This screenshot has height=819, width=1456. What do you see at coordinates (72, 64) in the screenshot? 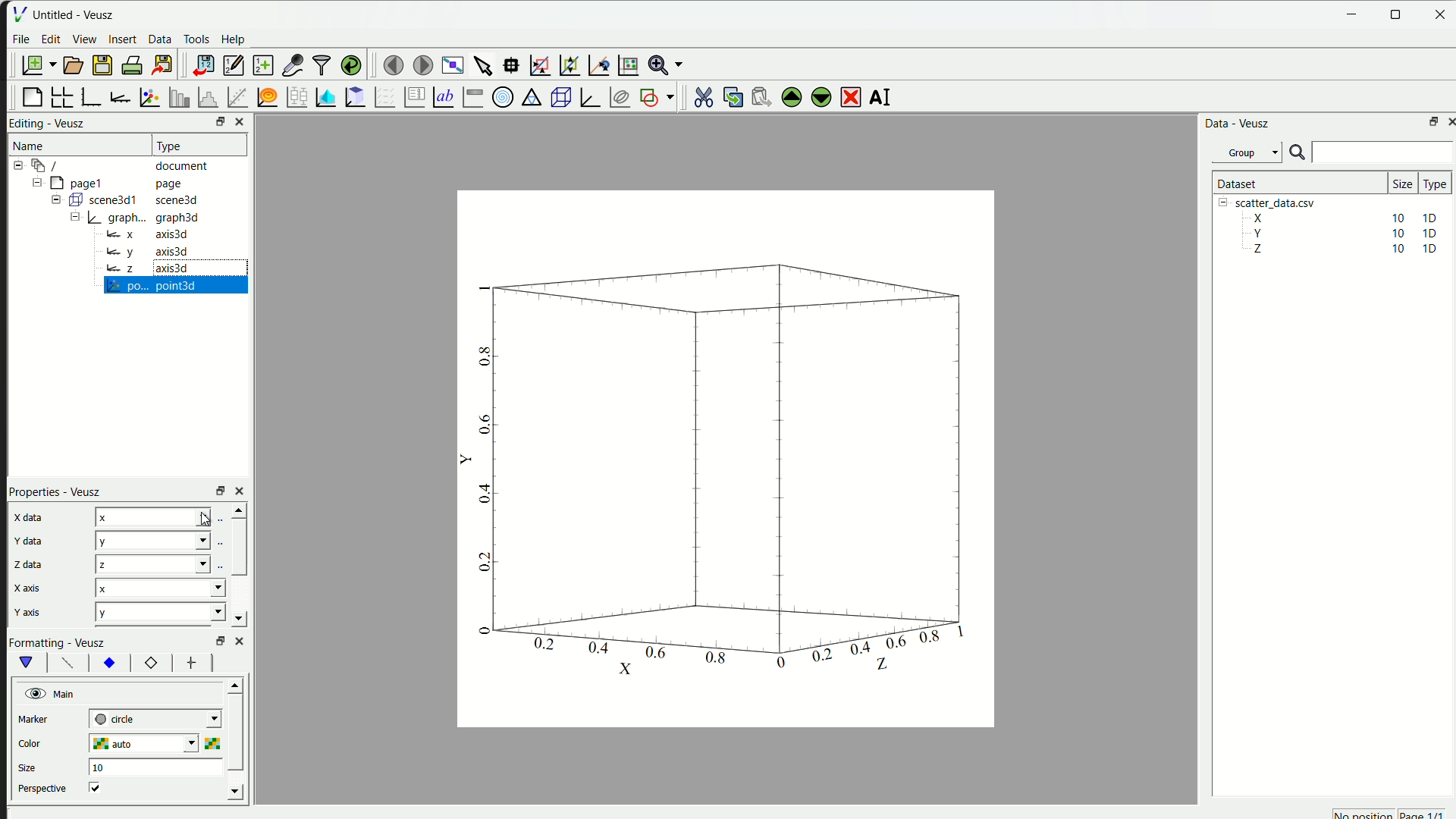
I see `open a document` at bounding box center [72, 64].